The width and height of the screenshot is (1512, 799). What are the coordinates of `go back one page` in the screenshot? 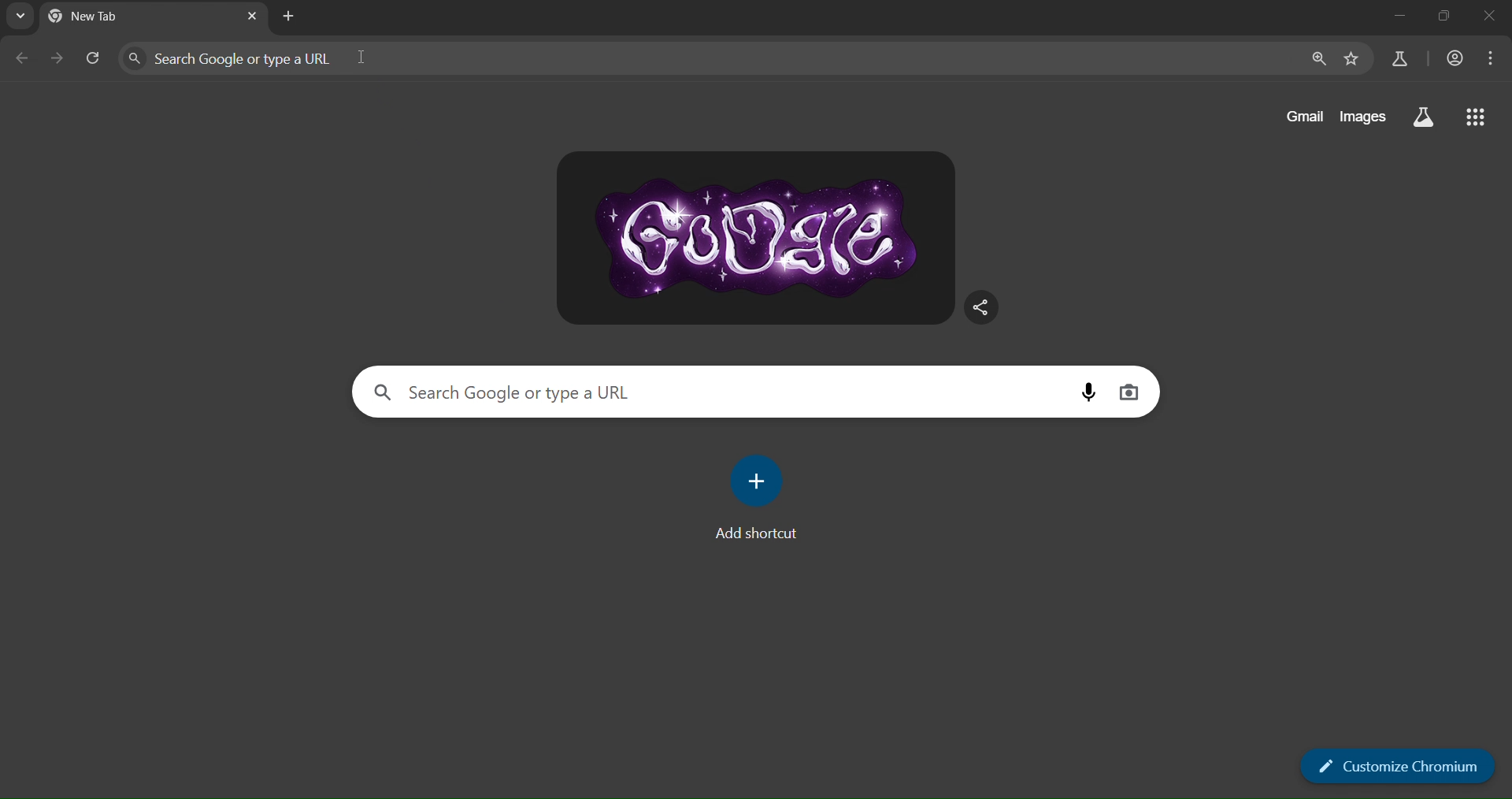 It's located at (23, 59).